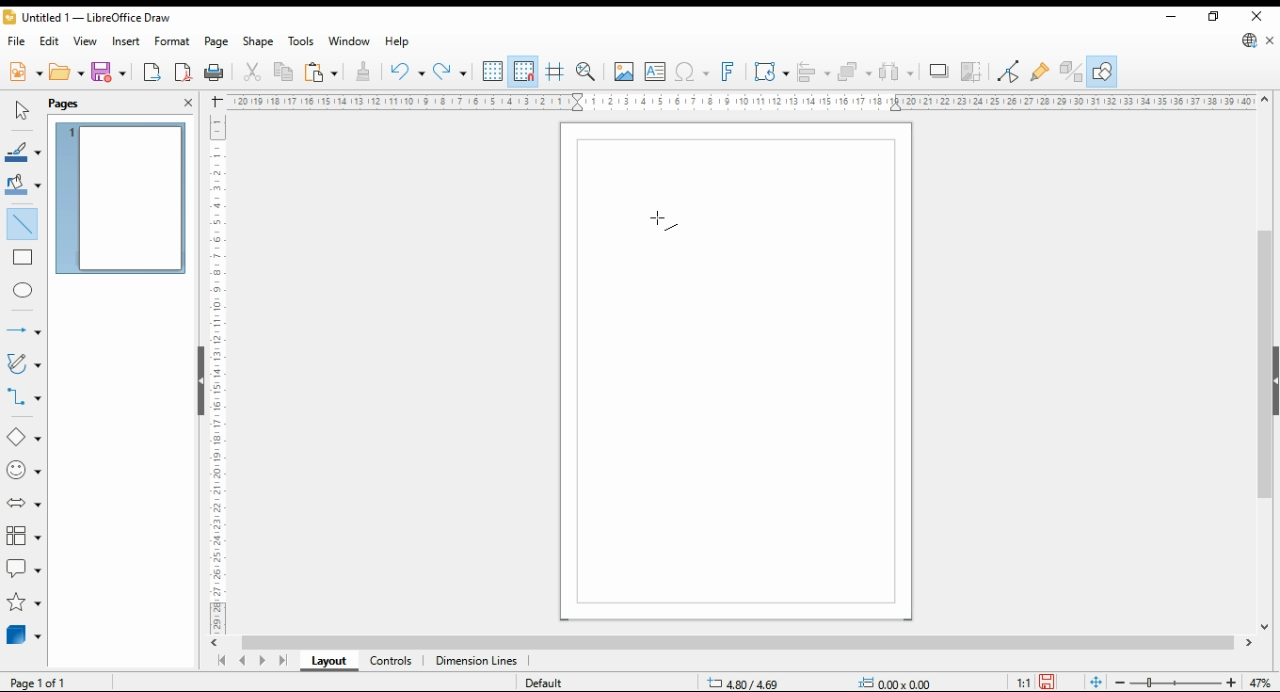 This screenshot has height=692, width=1280. Describe the element at coordinates (22, 184) in the screenshot. I see `fill color` at that location.